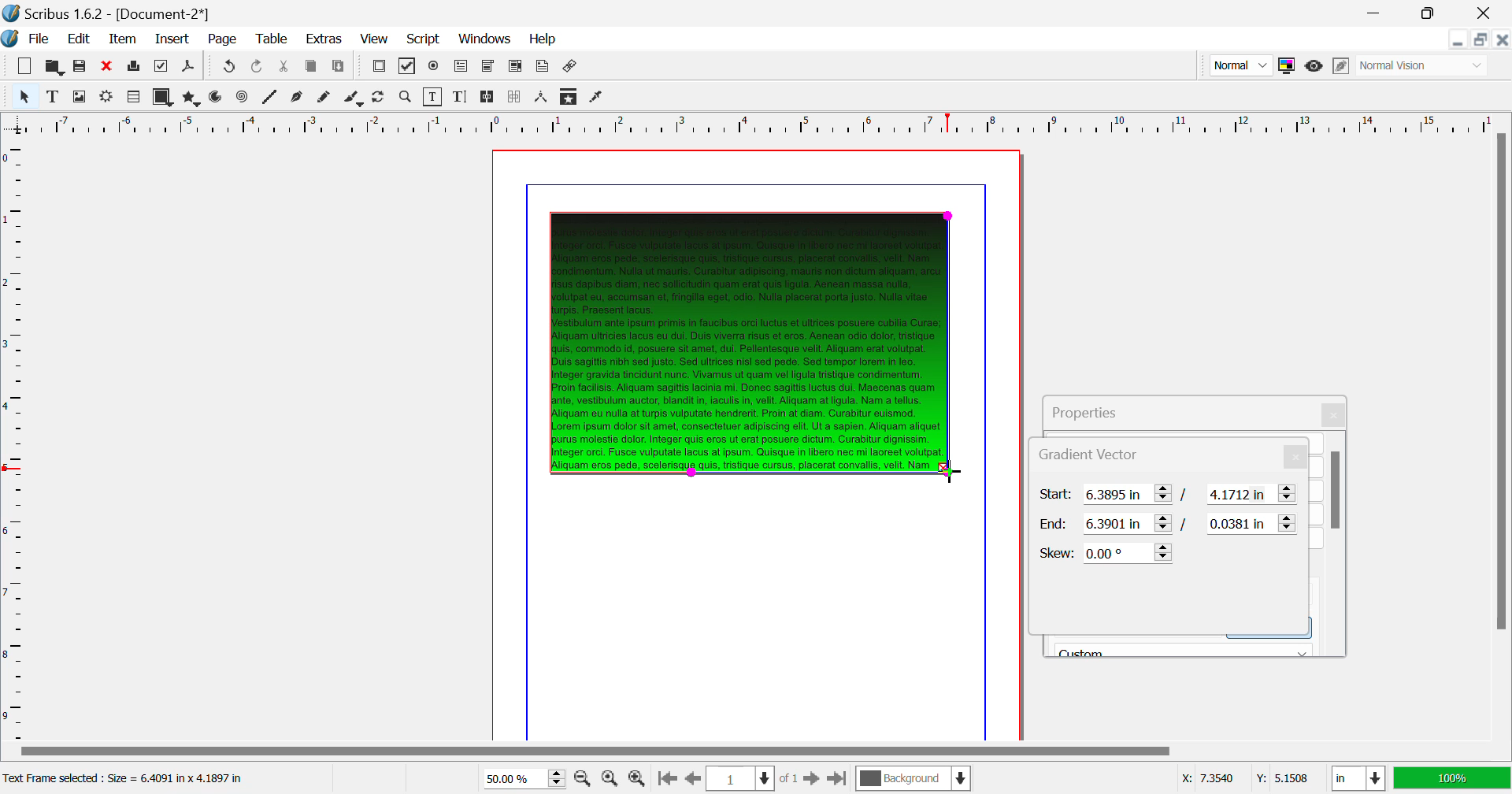  Describe the element at coordinates (1424, 65) in the screenshot. I see `Display Visual Appearance` at that location.